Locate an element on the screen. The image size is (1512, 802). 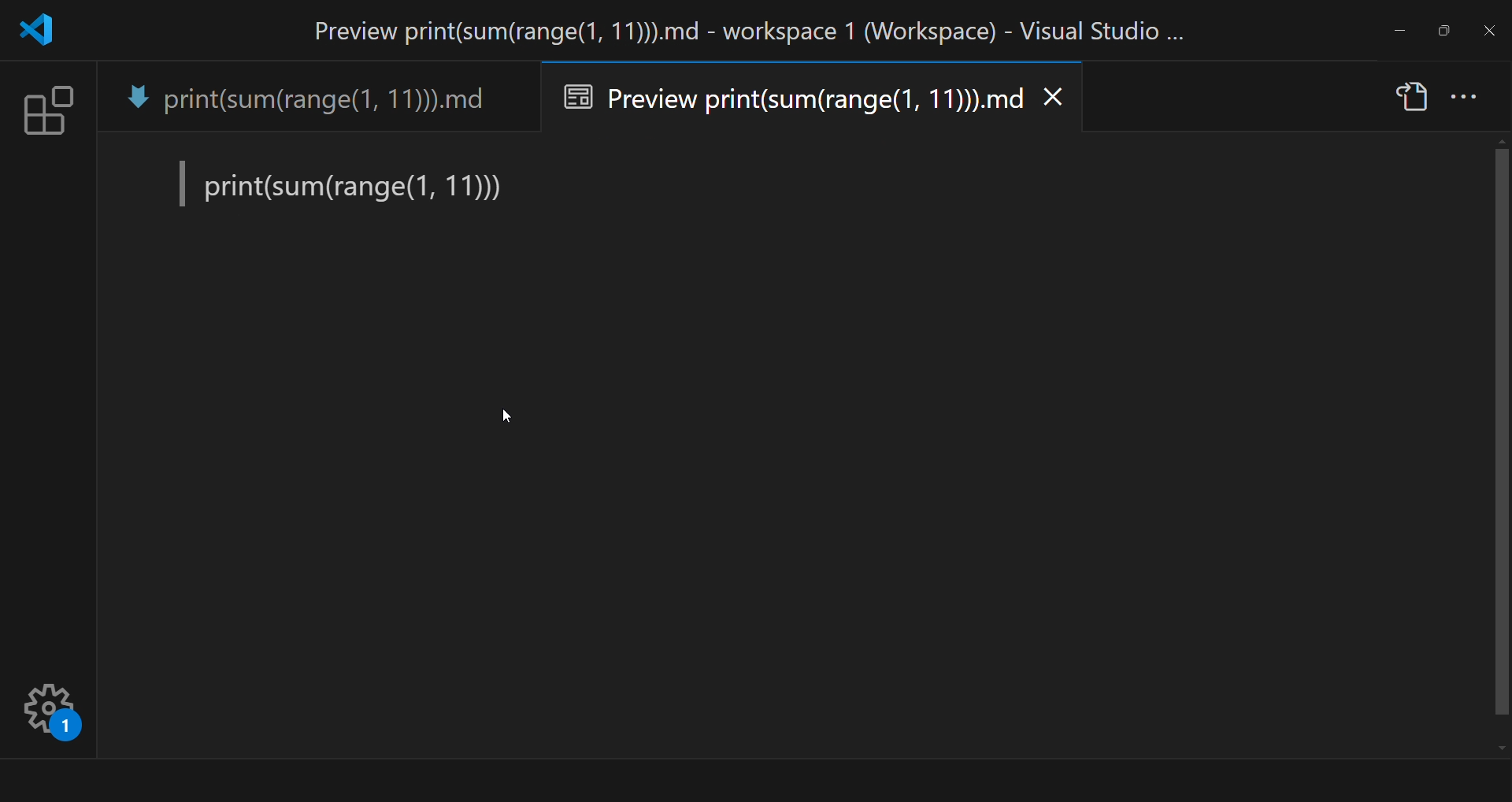
close is located at coordinates (1489, 35).